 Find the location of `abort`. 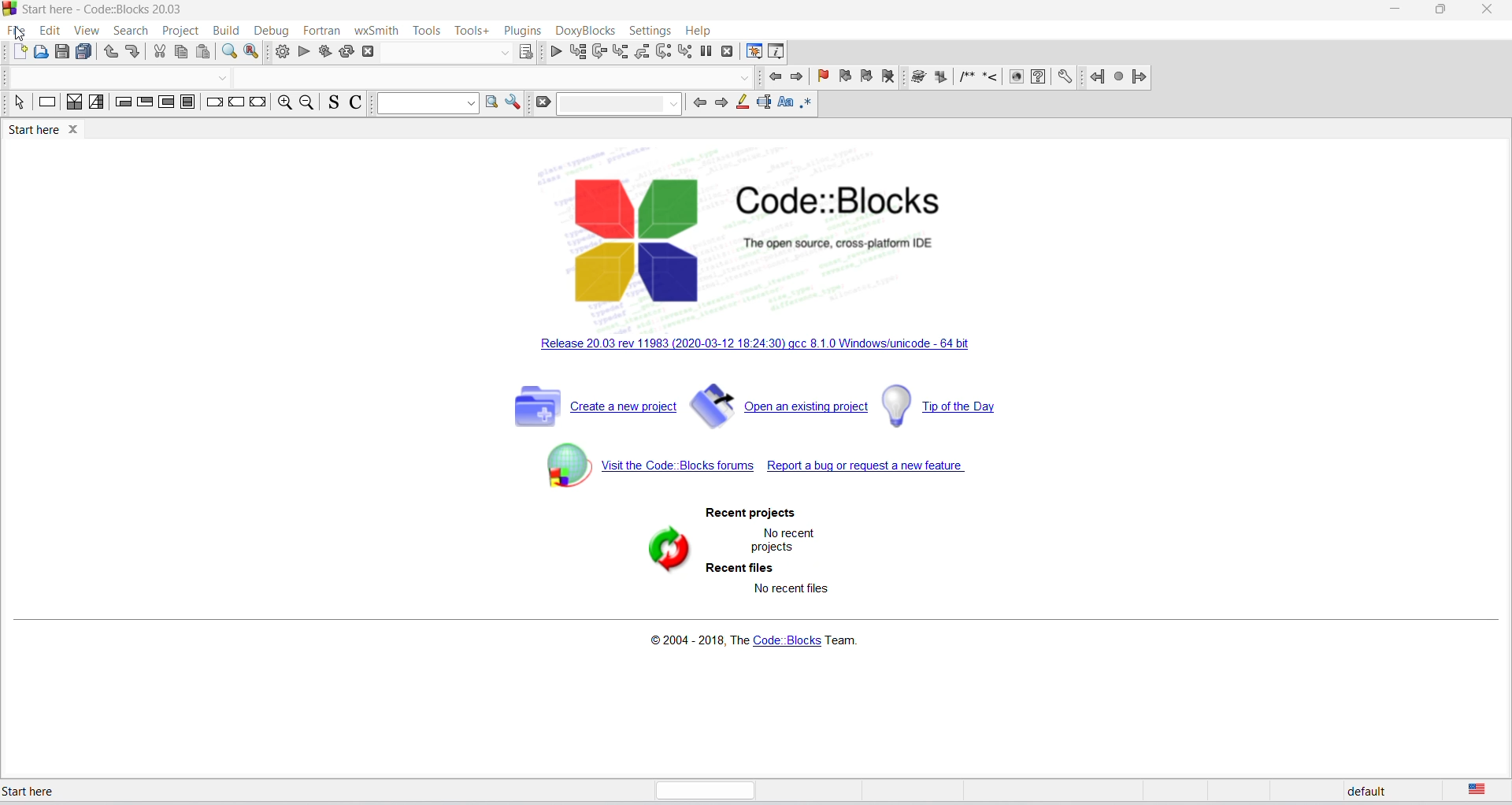

abort is located at coordinates (372, 53).